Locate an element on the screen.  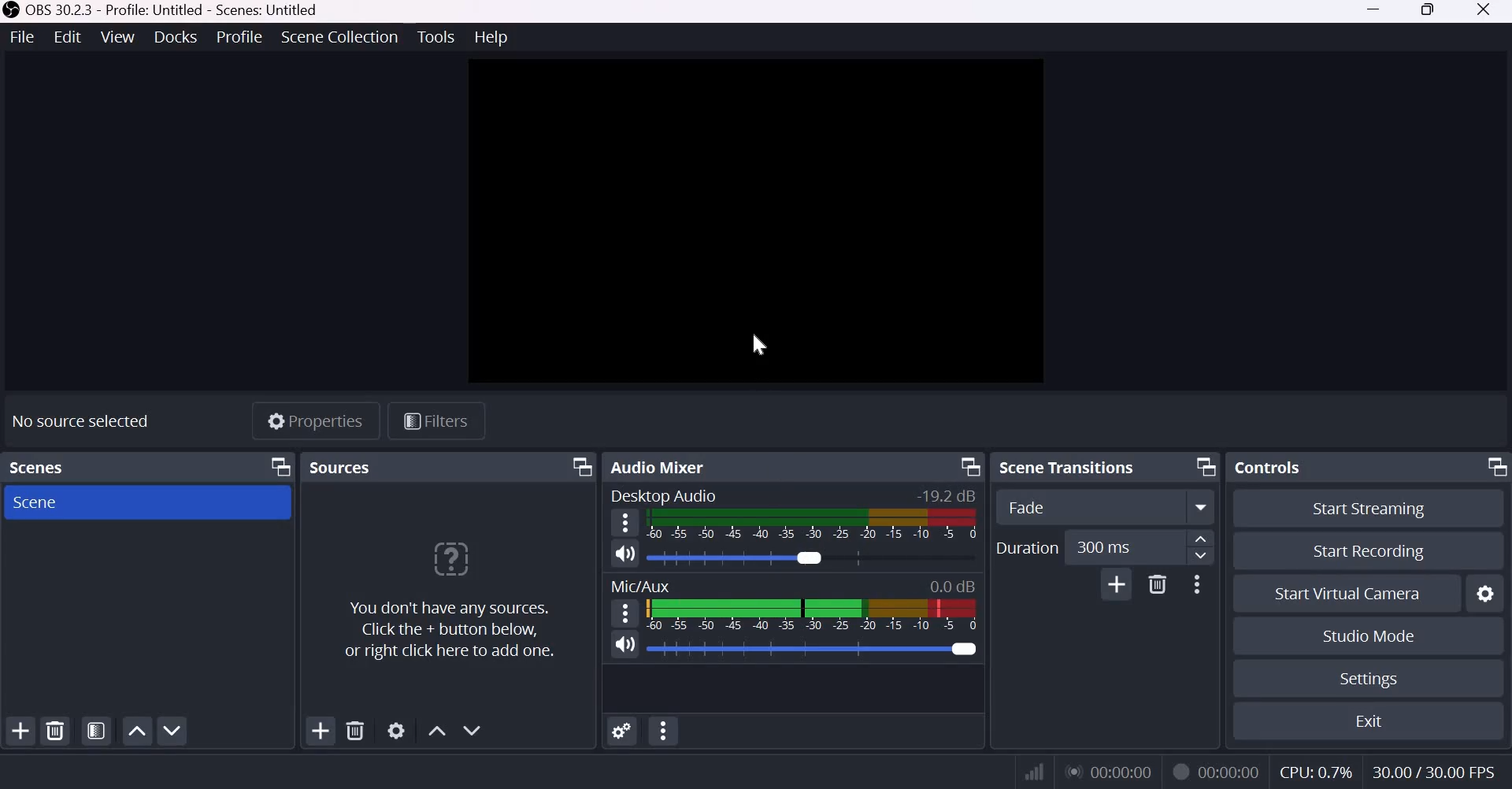
Scene collection is located at coordinates (342, 37).